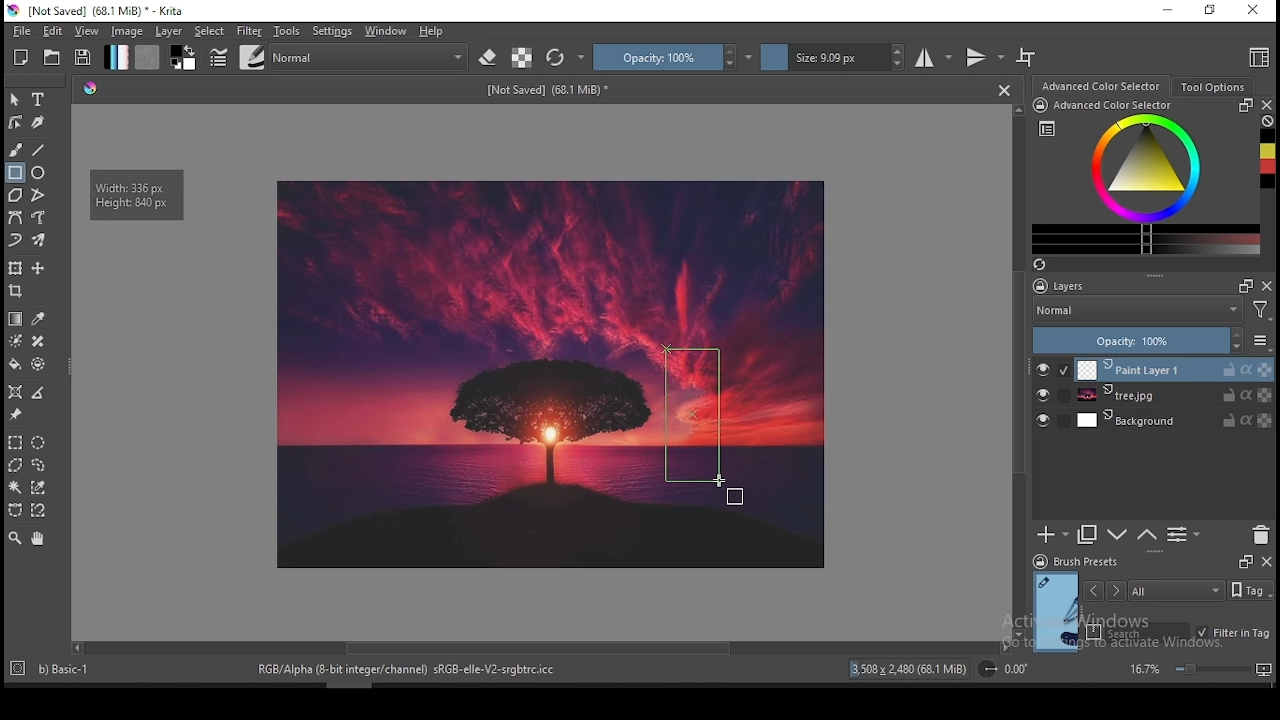 The width and height of the screenshot is (1280, 720). I want to click on close docker, so click(1268, 105).